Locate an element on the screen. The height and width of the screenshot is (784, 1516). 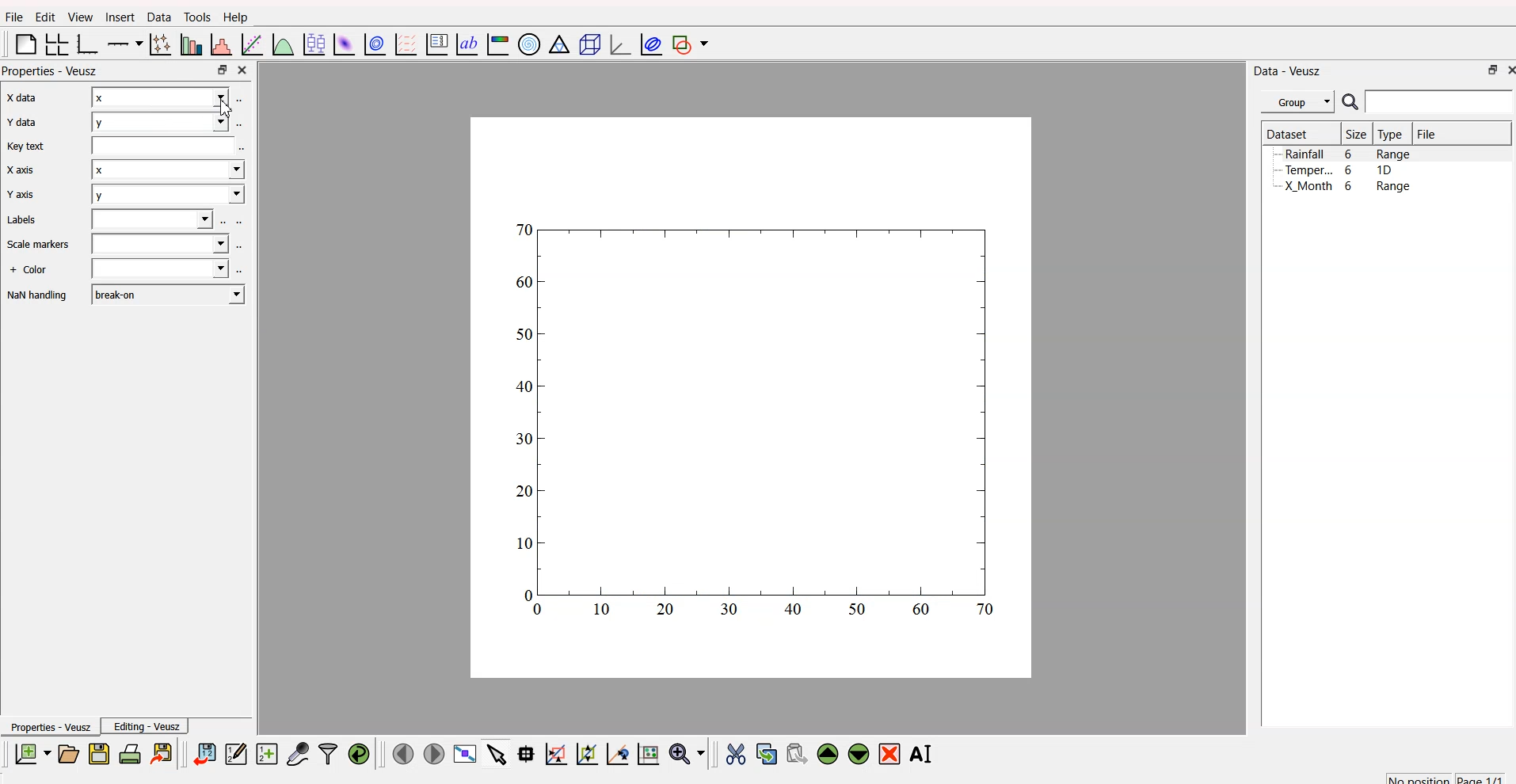
File is located at coordinates (1428, 134).